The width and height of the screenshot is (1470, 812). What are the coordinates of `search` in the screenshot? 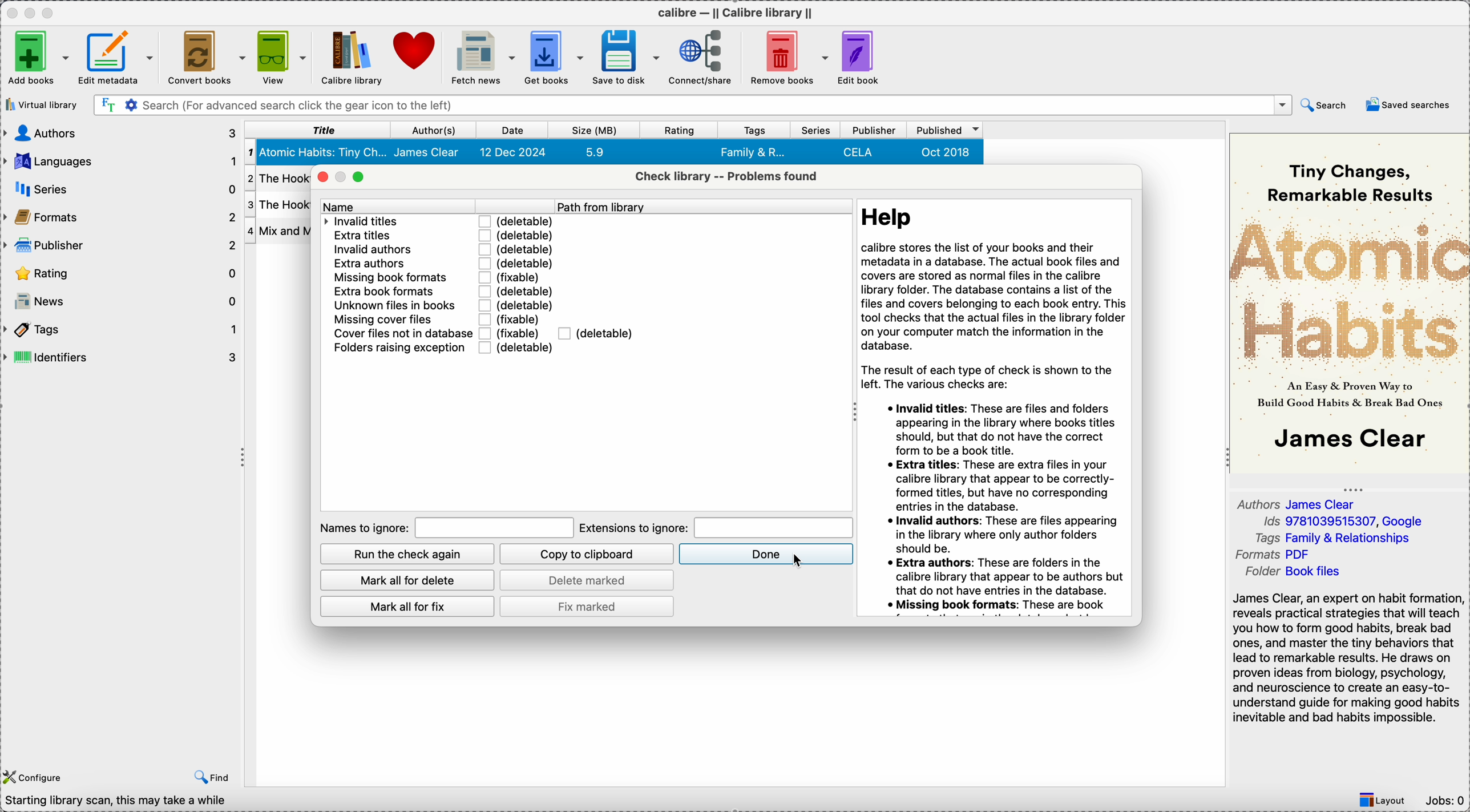 It's located at (1326, 106).